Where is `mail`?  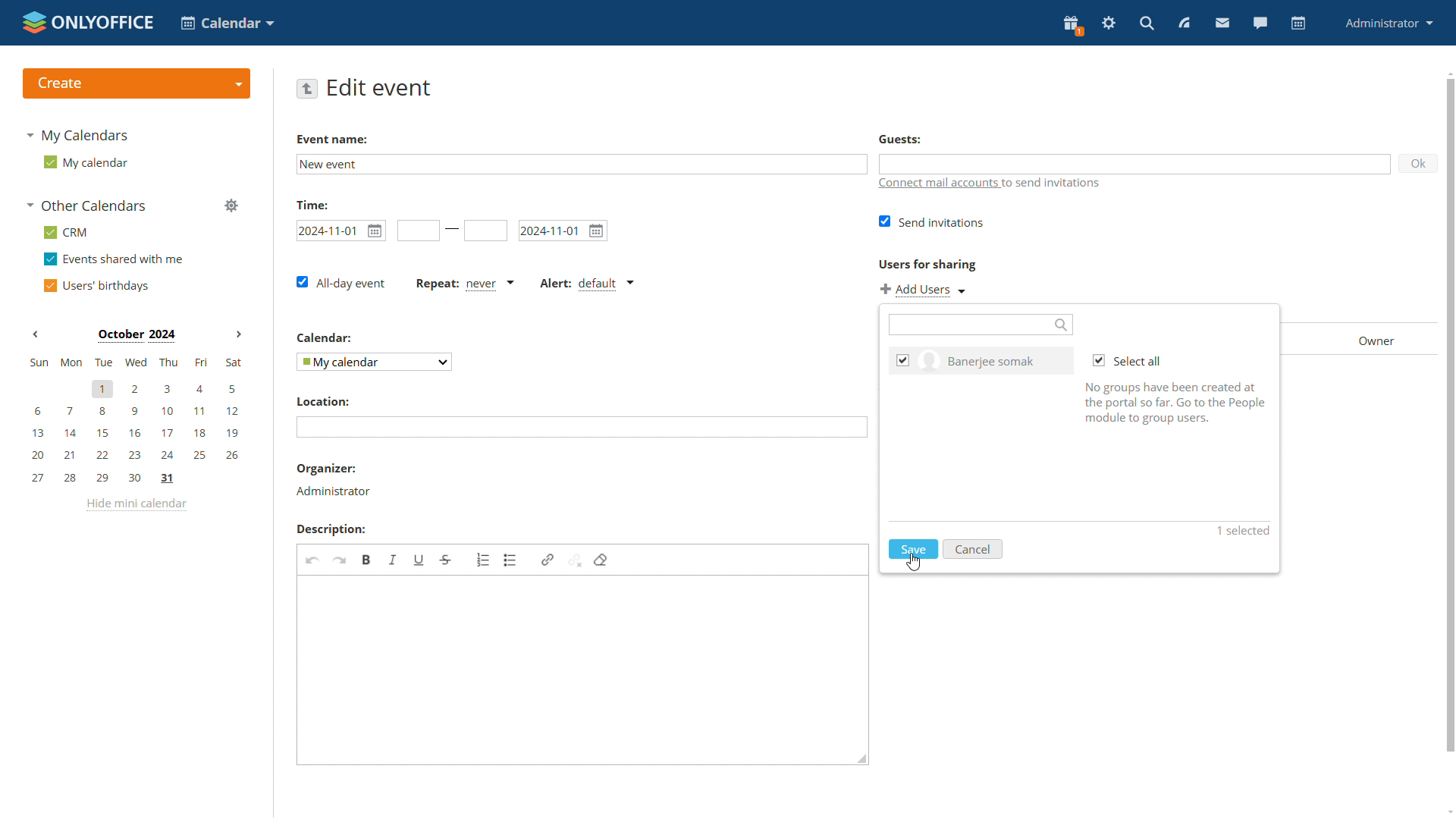 mail is located at coordinates (1221, 23).